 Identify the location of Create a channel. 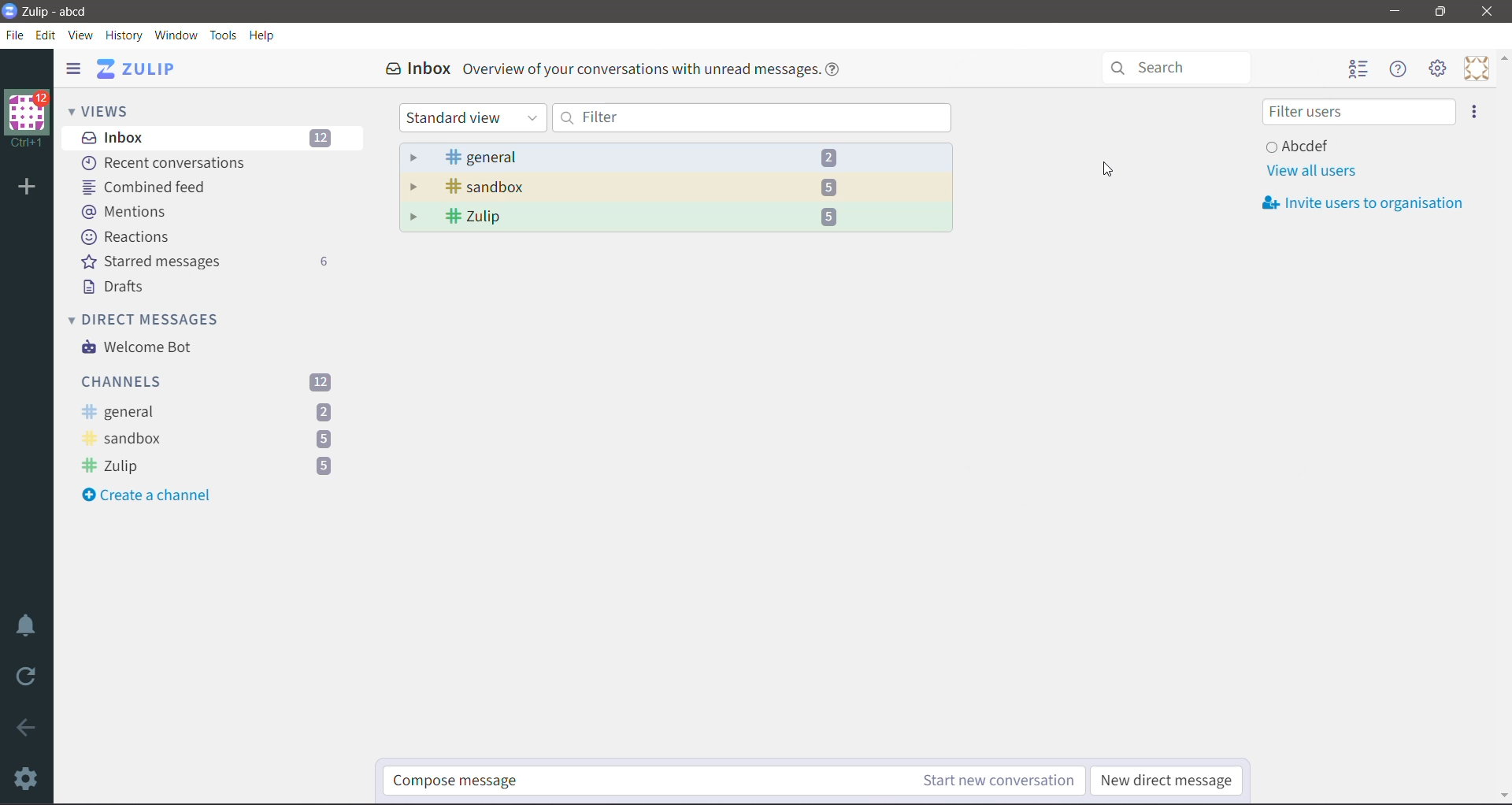
(153, 497).